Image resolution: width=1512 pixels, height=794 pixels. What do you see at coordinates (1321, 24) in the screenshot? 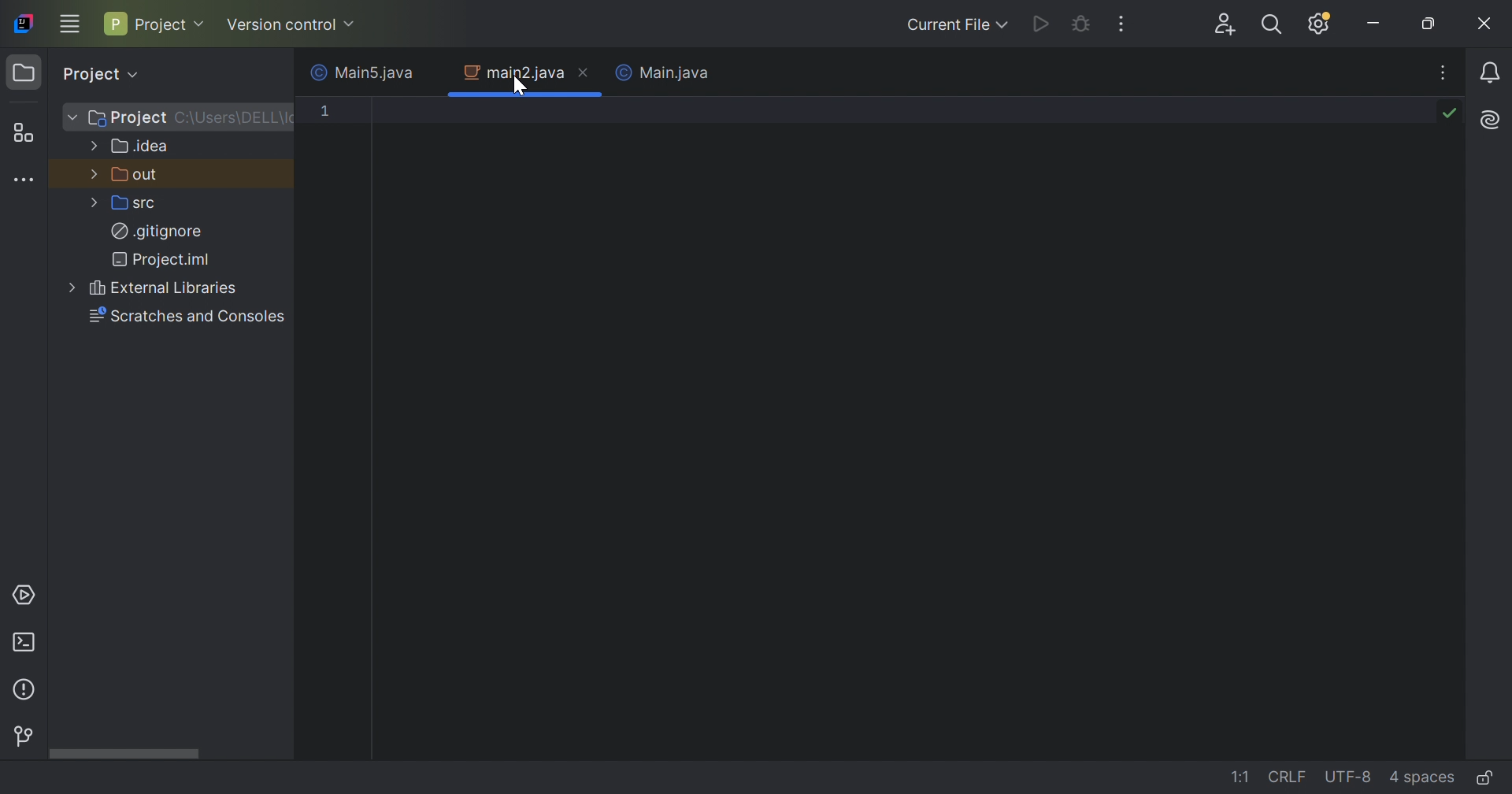
I see `Updates available. IDE and Project Settings` at bounding box center [1321, 24].